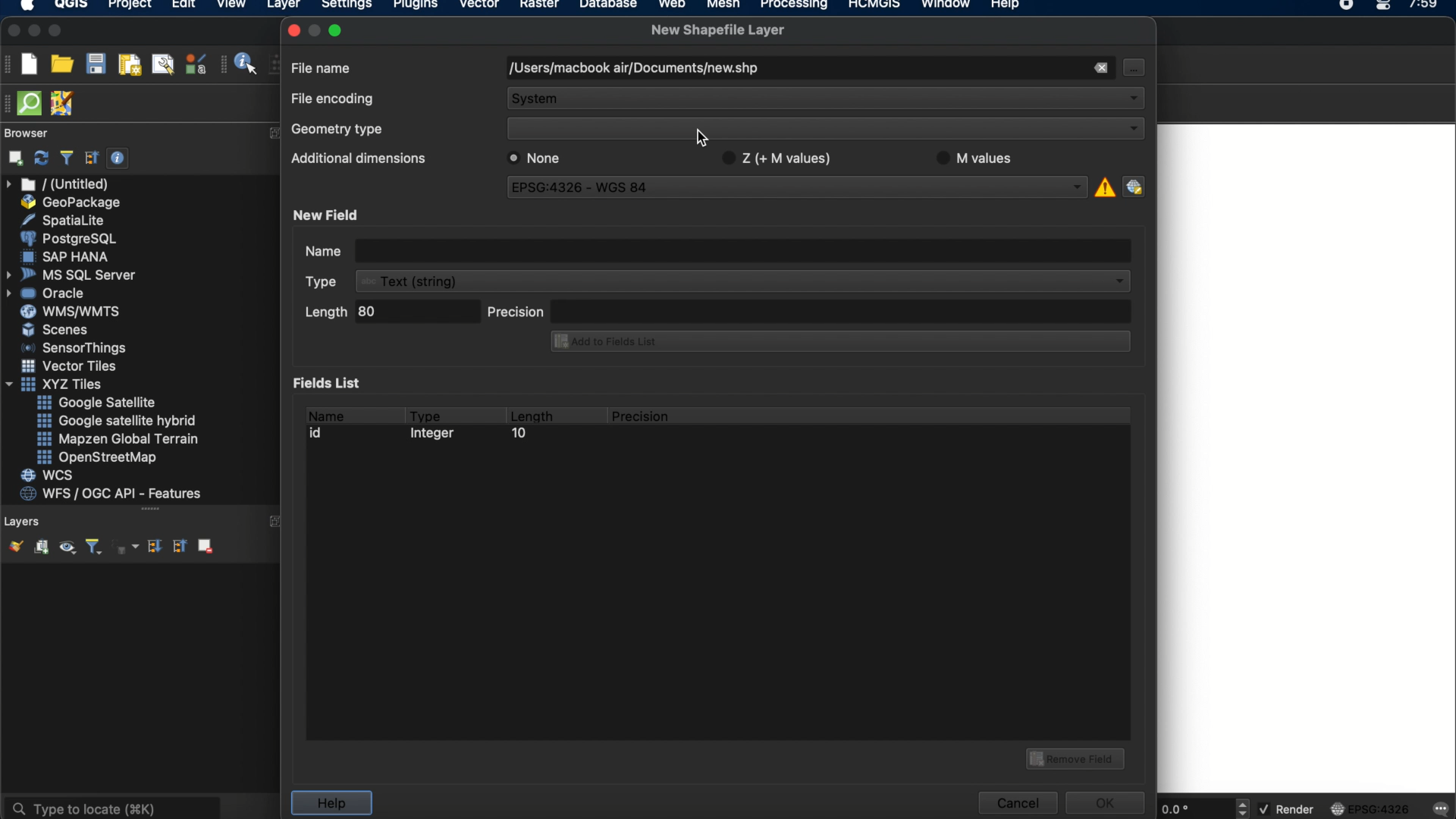 The width and height of the screenshot is (1456, 819). What do you see at coordinates (723, 6) in the screenshot?
I see `mesh` at bounding box center [723, 6].